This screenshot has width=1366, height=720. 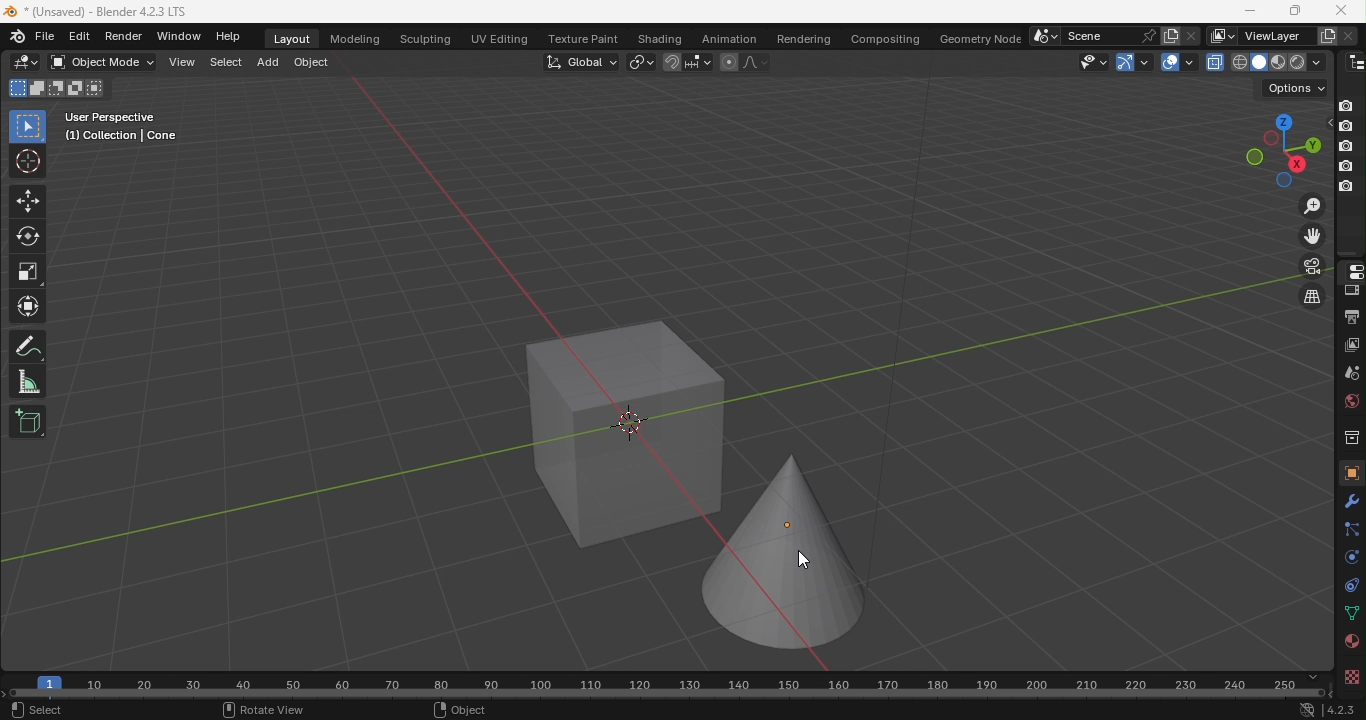 I want to click on Snap, so click(x=671, y=61).